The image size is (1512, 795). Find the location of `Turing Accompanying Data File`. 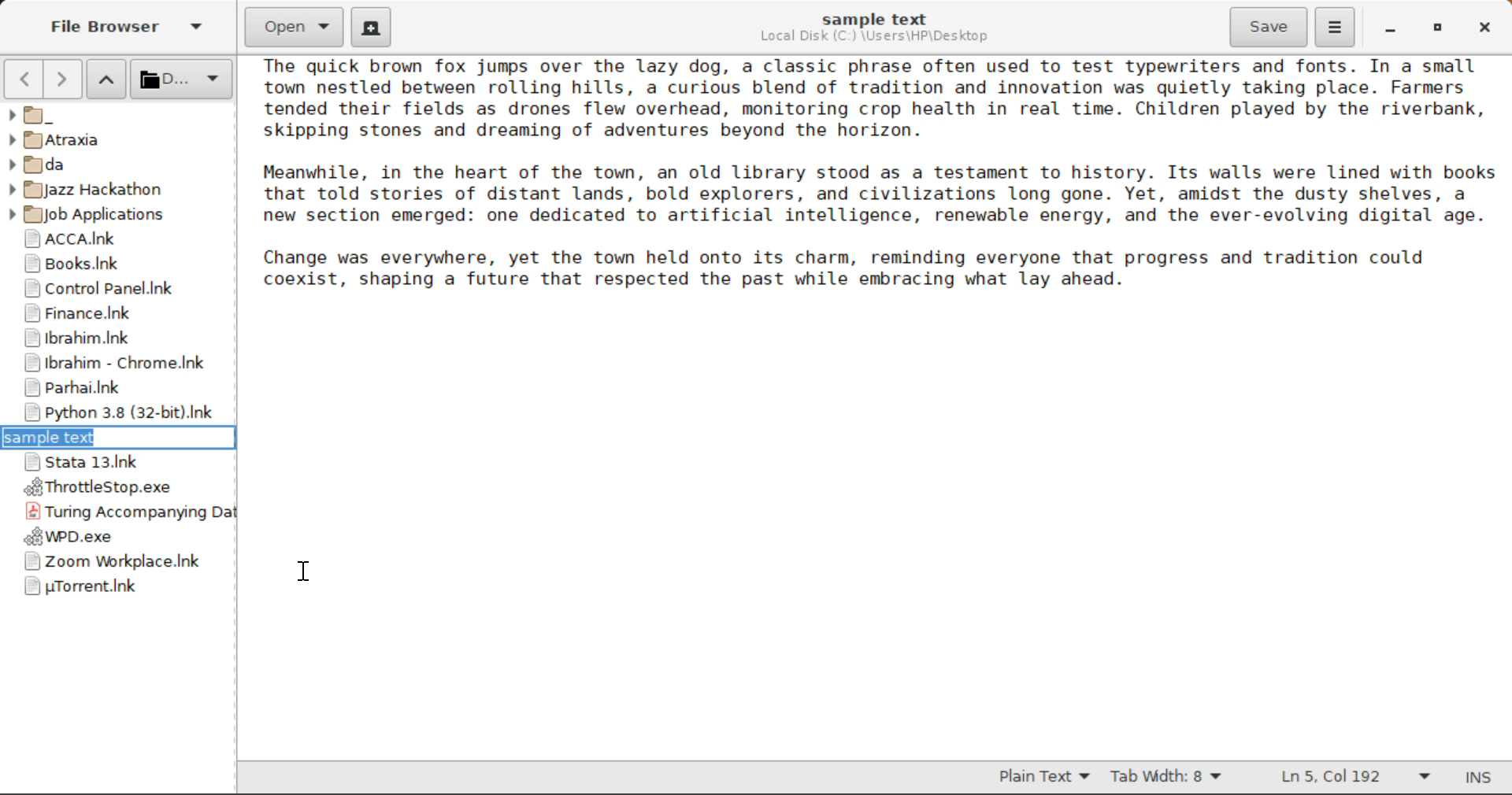

Turing Accompanying Data File is located at coordinates (121, 512).